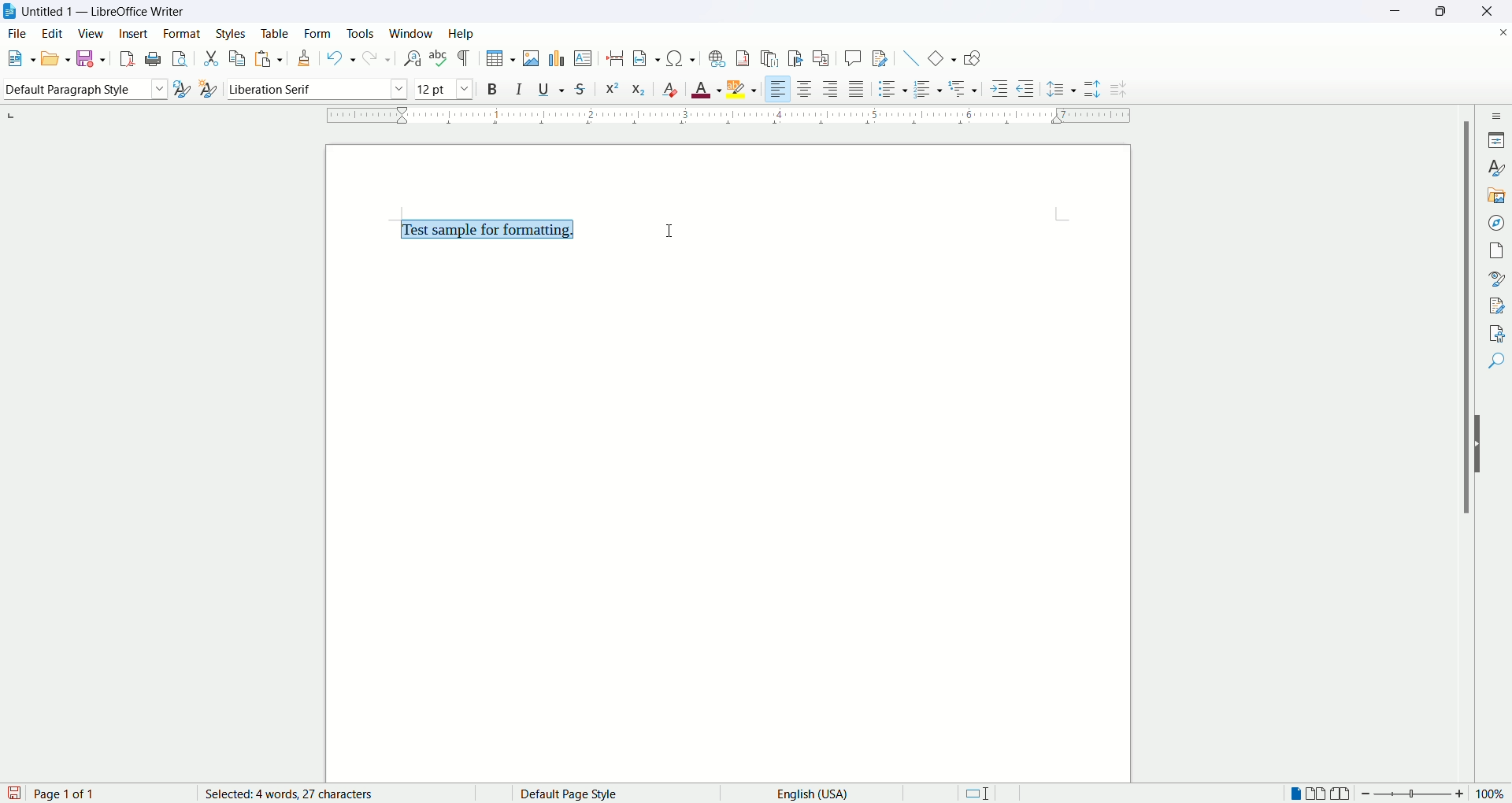  What do you see at coordinates (133, 35) in the screenshot?
I see `insert` at bounding box center [133, 35].